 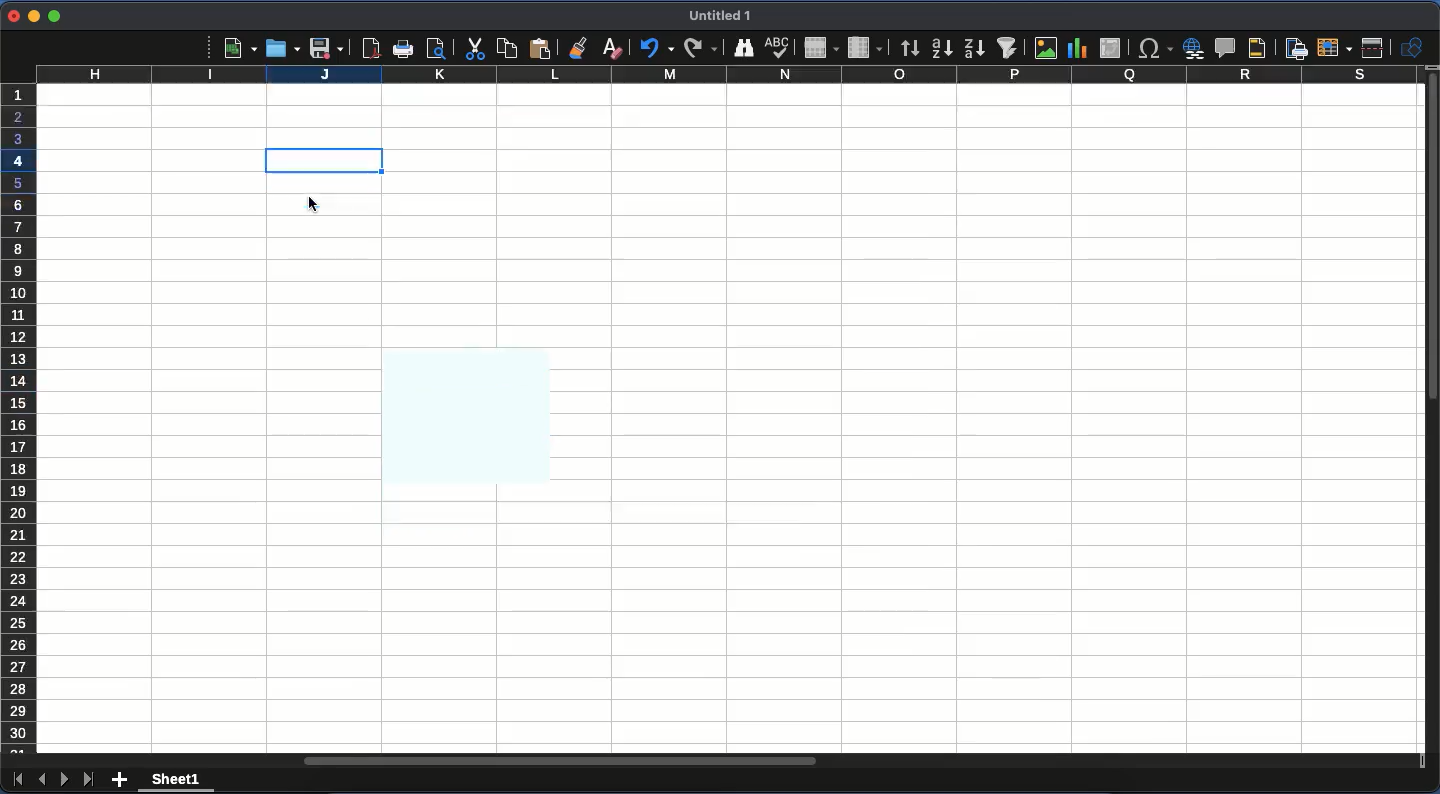 I want to click on row, so click(x=821, y=49).